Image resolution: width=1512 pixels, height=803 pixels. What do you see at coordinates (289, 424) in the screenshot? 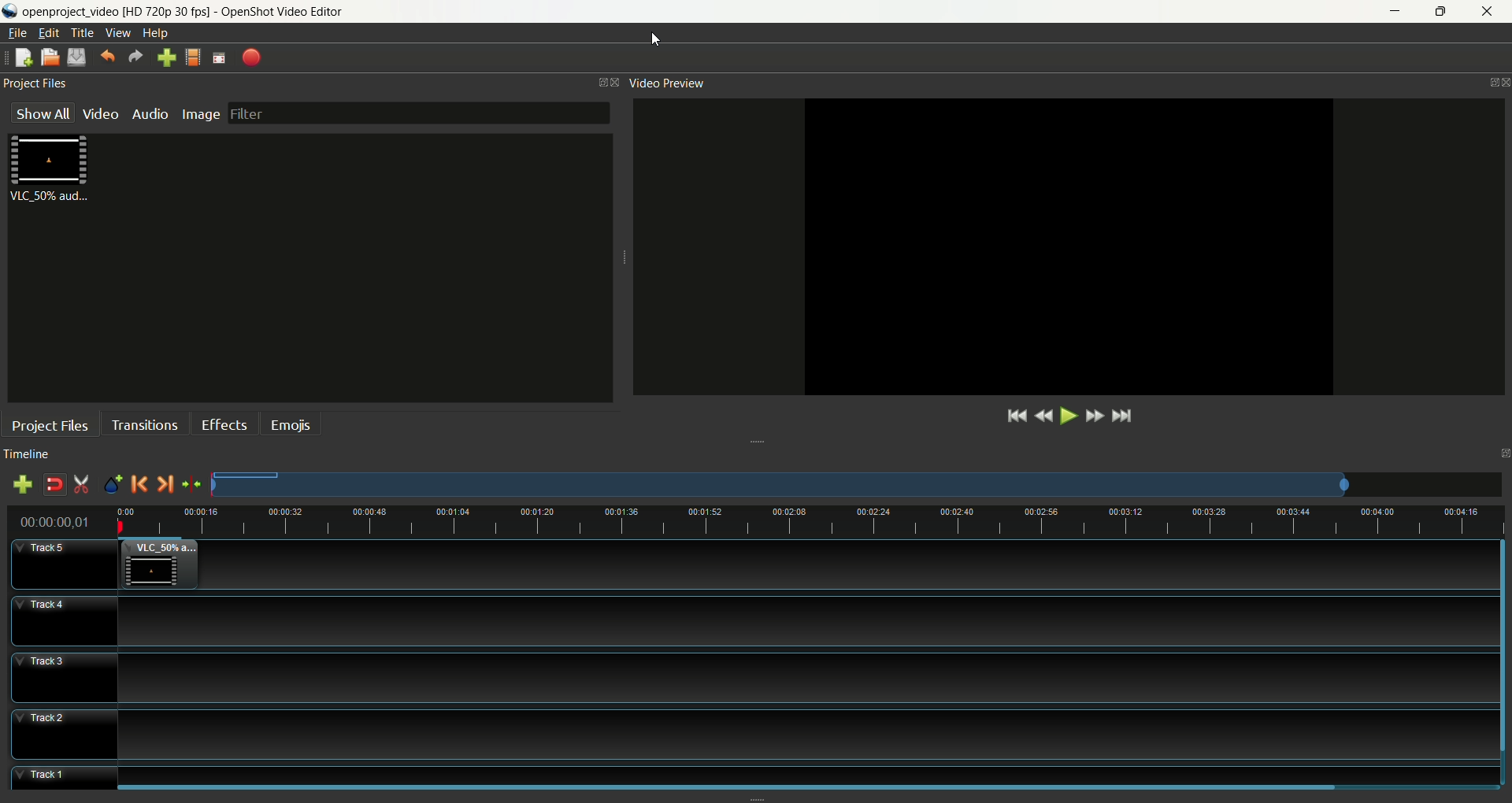
I see `emojis` at bounding box center [289, 424].